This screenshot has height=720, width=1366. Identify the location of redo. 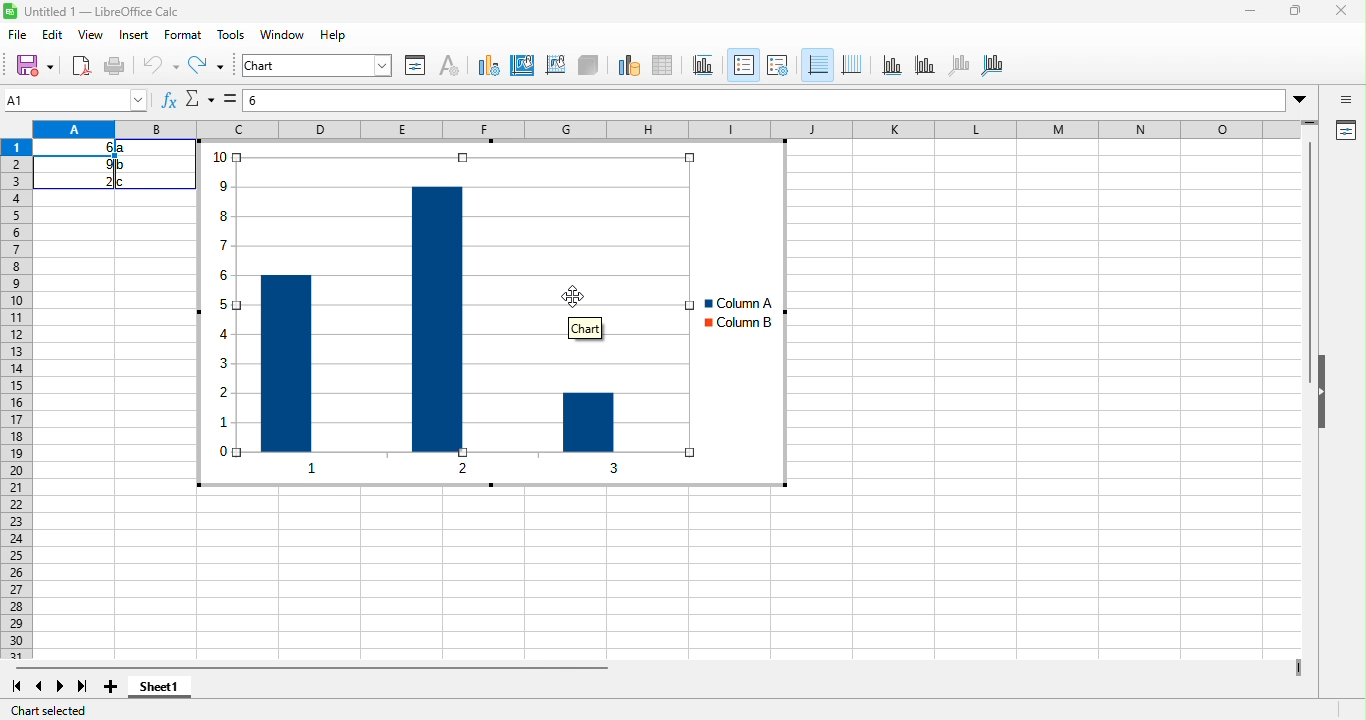
(205, 65).